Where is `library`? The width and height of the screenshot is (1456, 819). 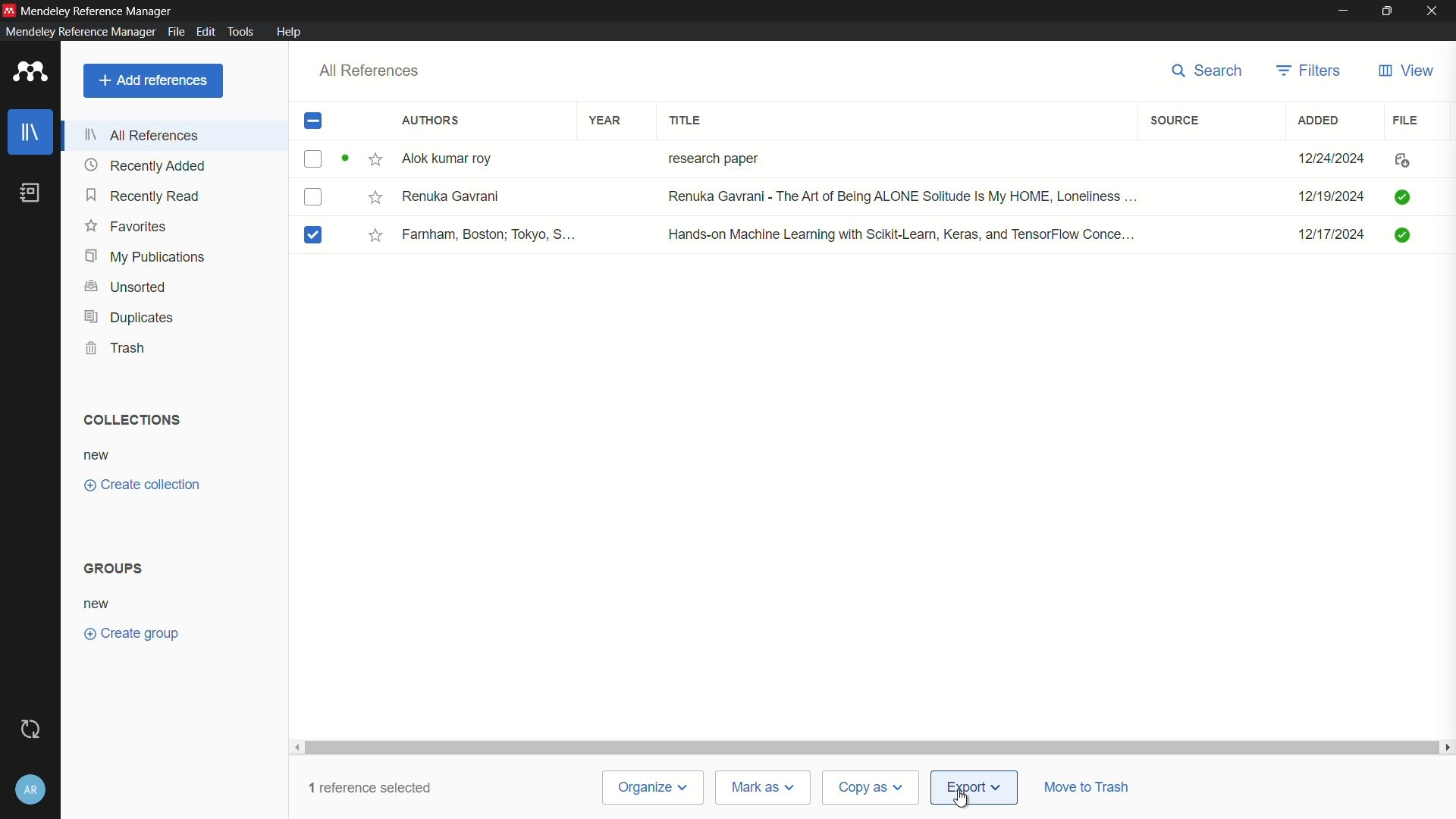
library is located at coordinates (31, 133).